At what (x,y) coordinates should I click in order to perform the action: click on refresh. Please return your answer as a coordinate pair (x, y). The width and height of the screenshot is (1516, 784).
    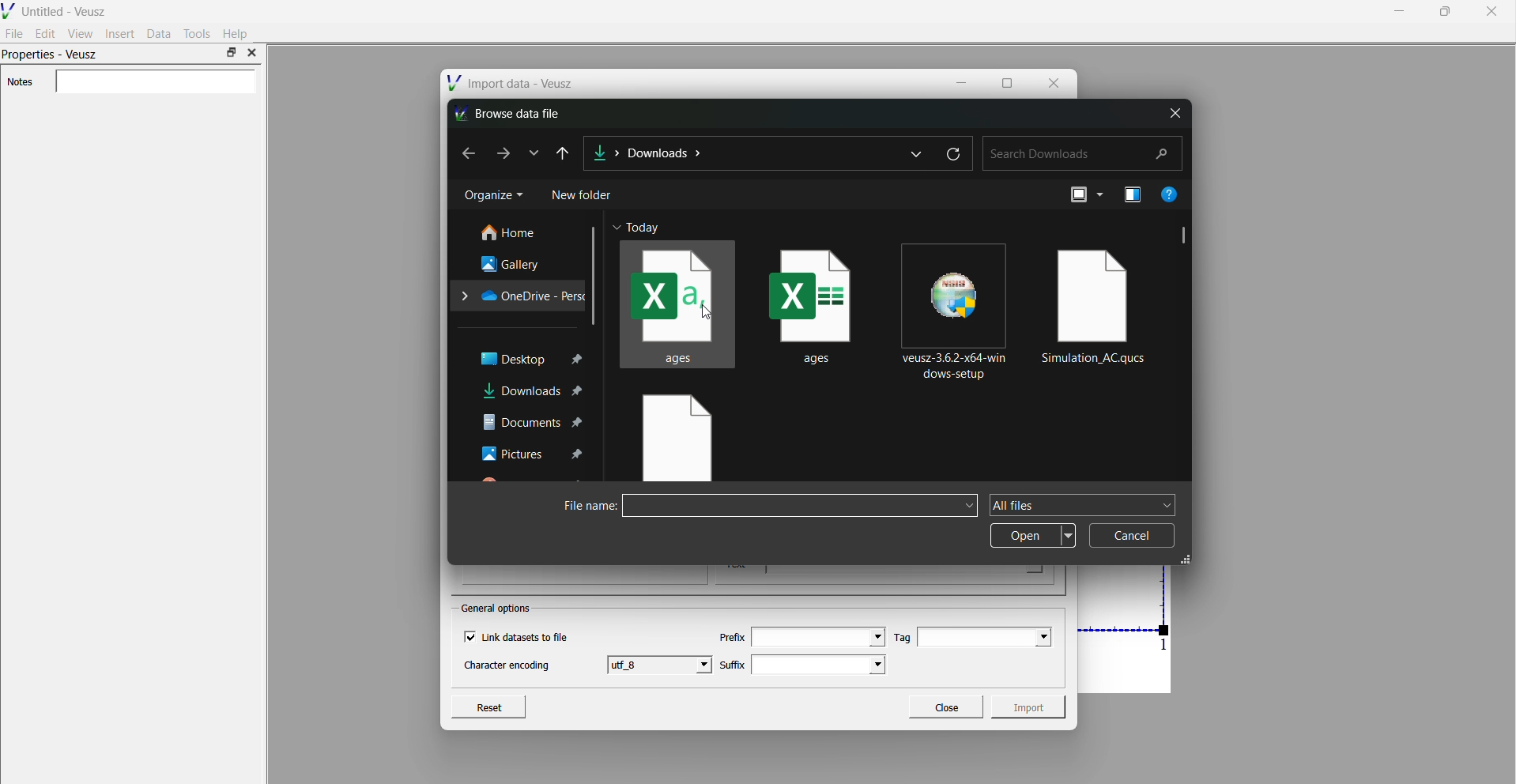
    Looking at the image, I should click on (954, 151).